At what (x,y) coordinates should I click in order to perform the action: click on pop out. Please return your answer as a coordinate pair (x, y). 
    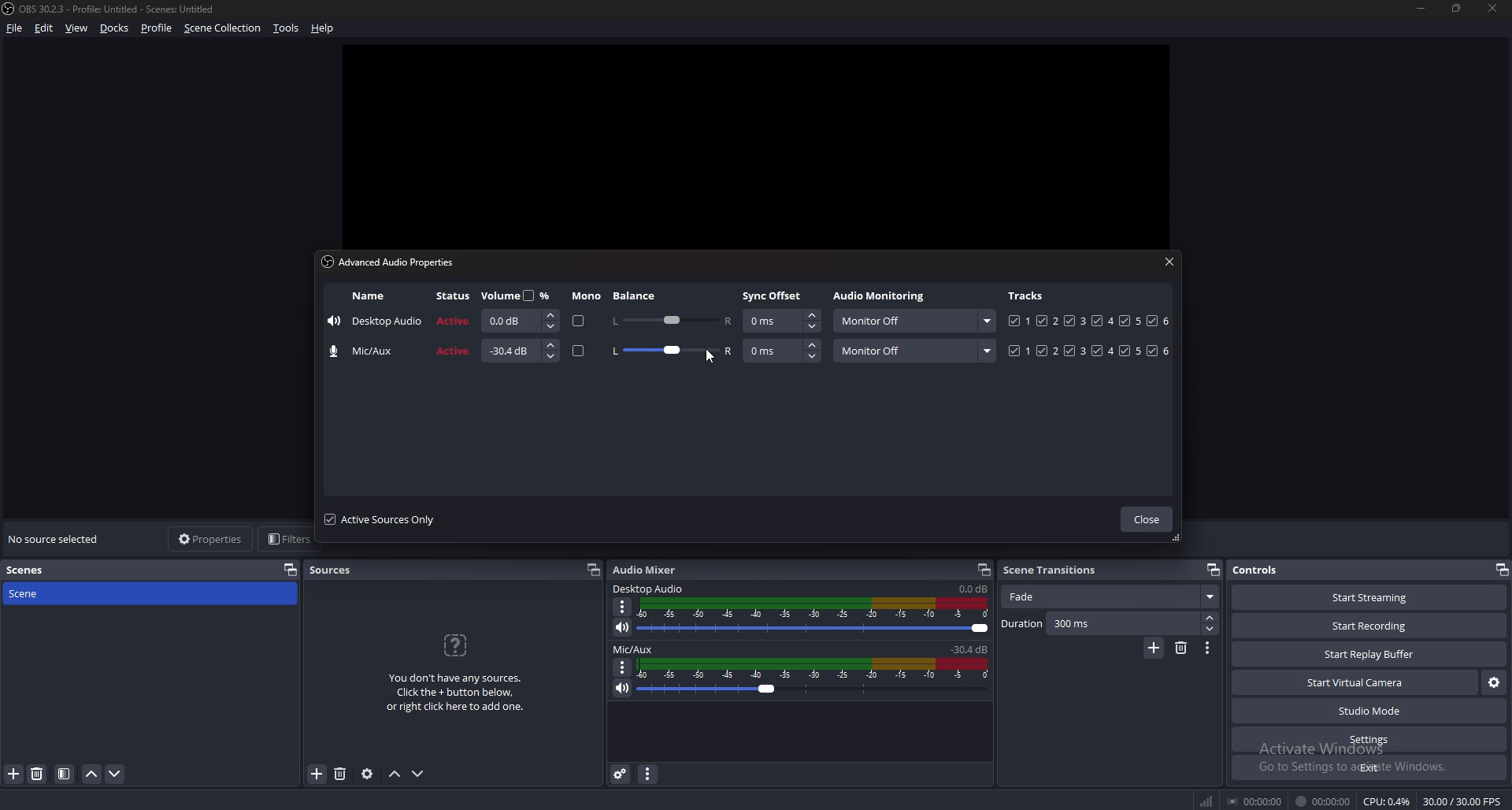
    Looking at the image, I should click on (290, 570).